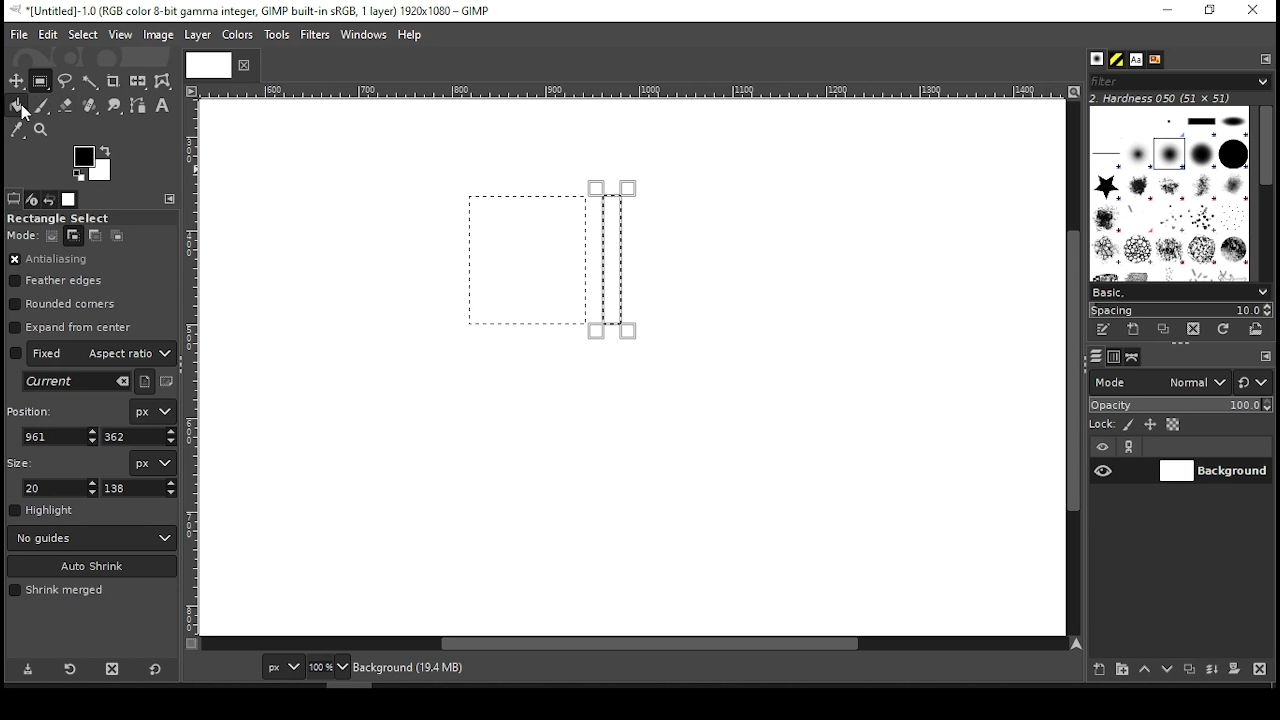  I want to click on restore, so click(1212, 11).